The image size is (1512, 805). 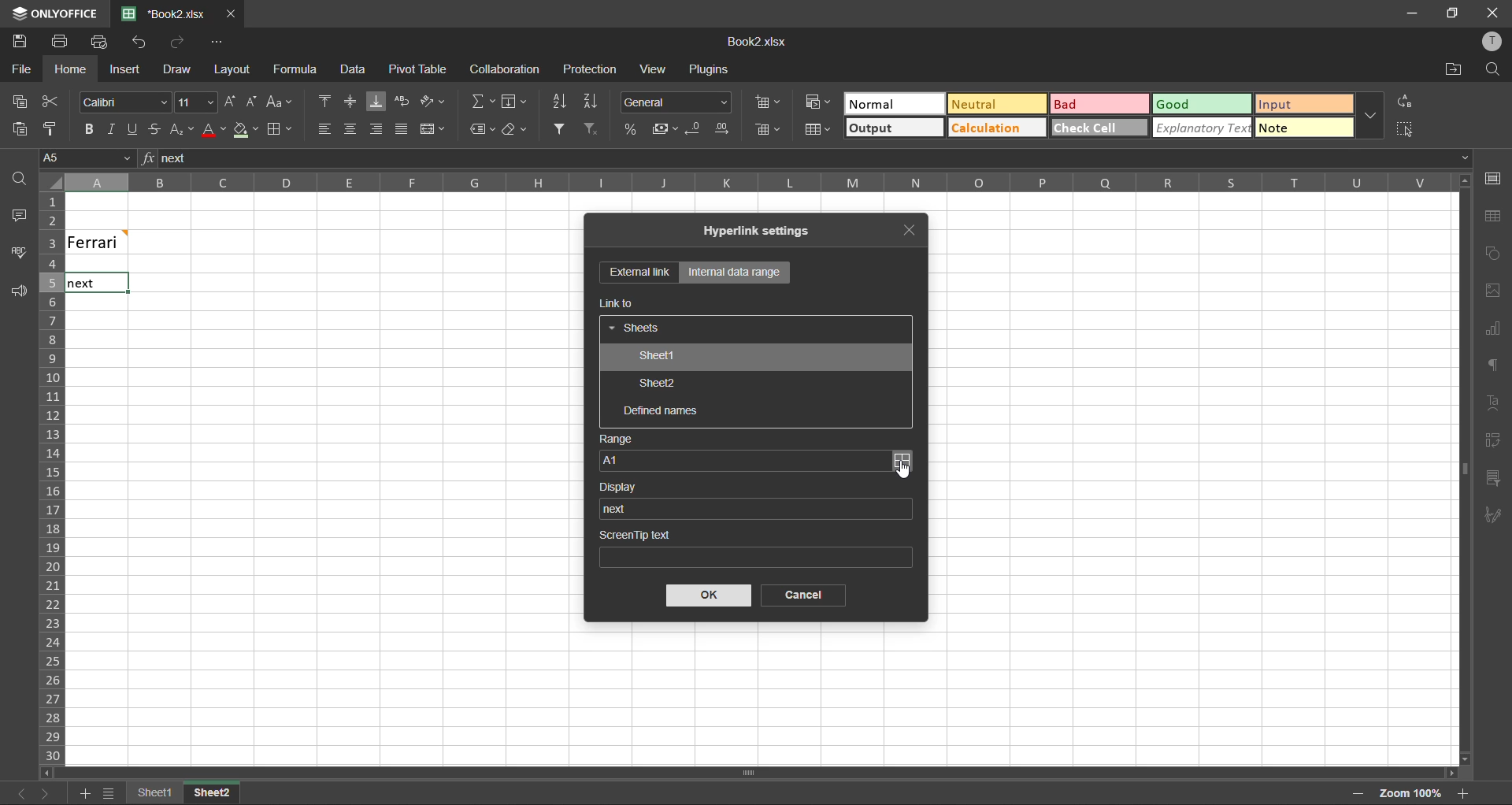 I want to click on save, so click(x=19, y=42).